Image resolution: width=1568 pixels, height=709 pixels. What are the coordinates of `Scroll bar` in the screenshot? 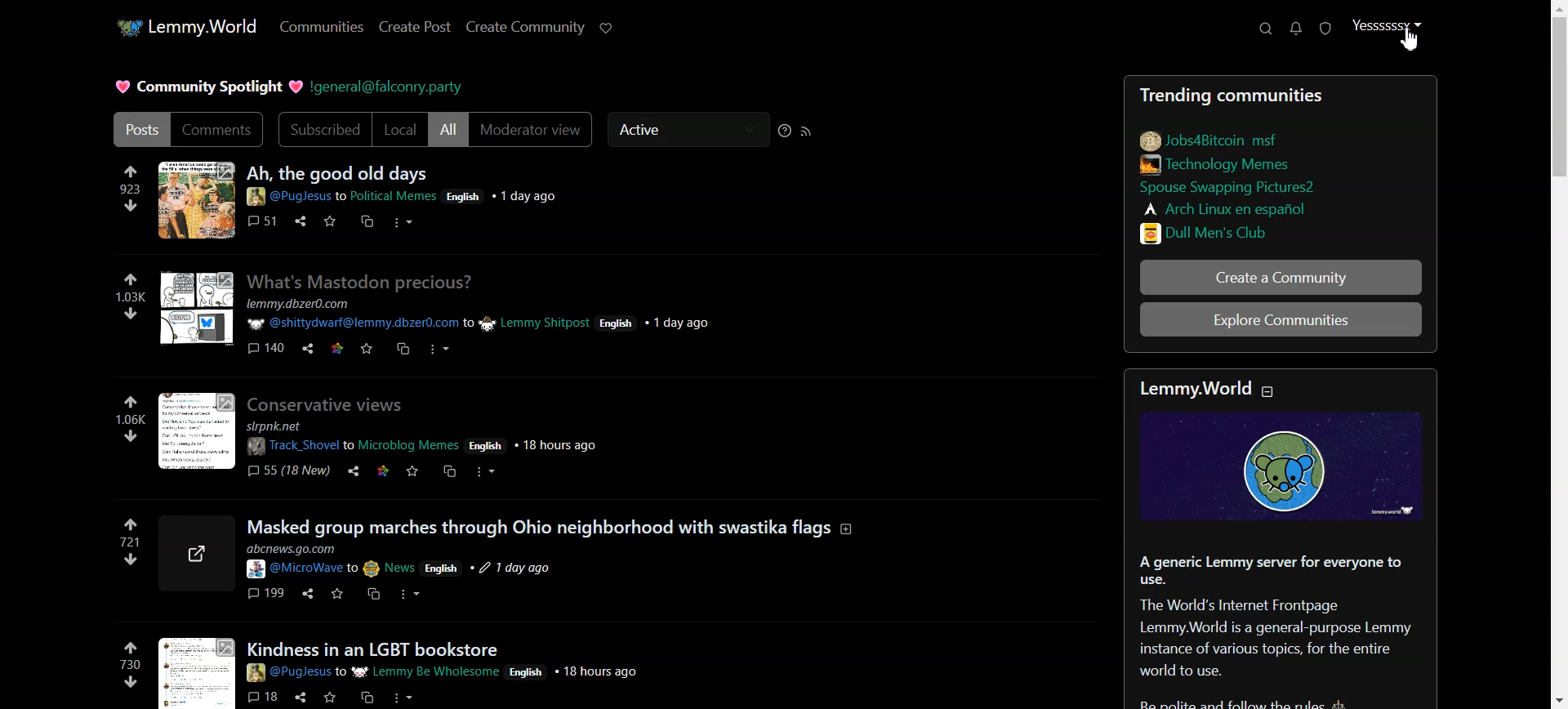 It's located at (1558, 354).